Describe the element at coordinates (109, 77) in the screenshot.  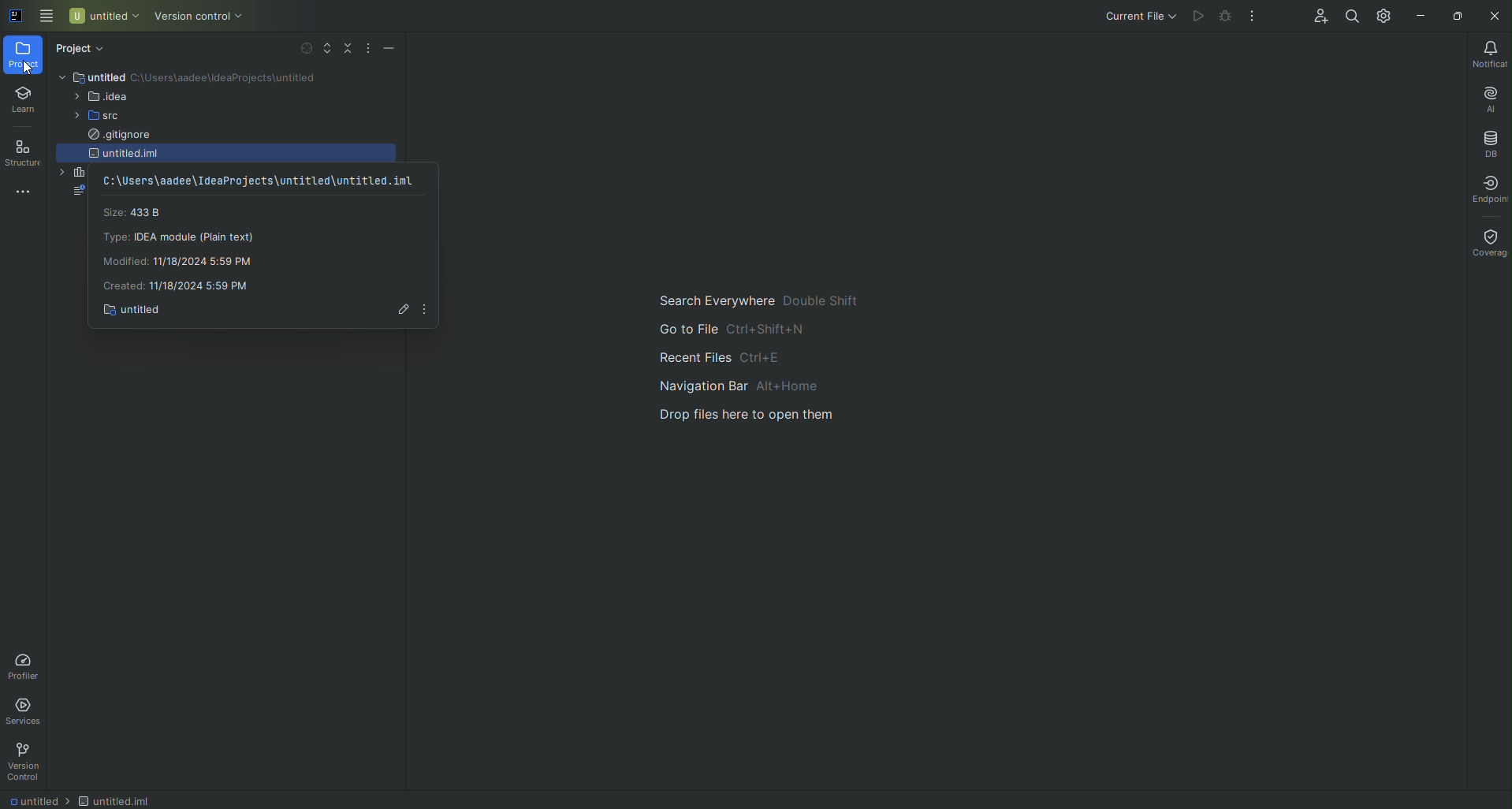
I see `Untitled` at that location.